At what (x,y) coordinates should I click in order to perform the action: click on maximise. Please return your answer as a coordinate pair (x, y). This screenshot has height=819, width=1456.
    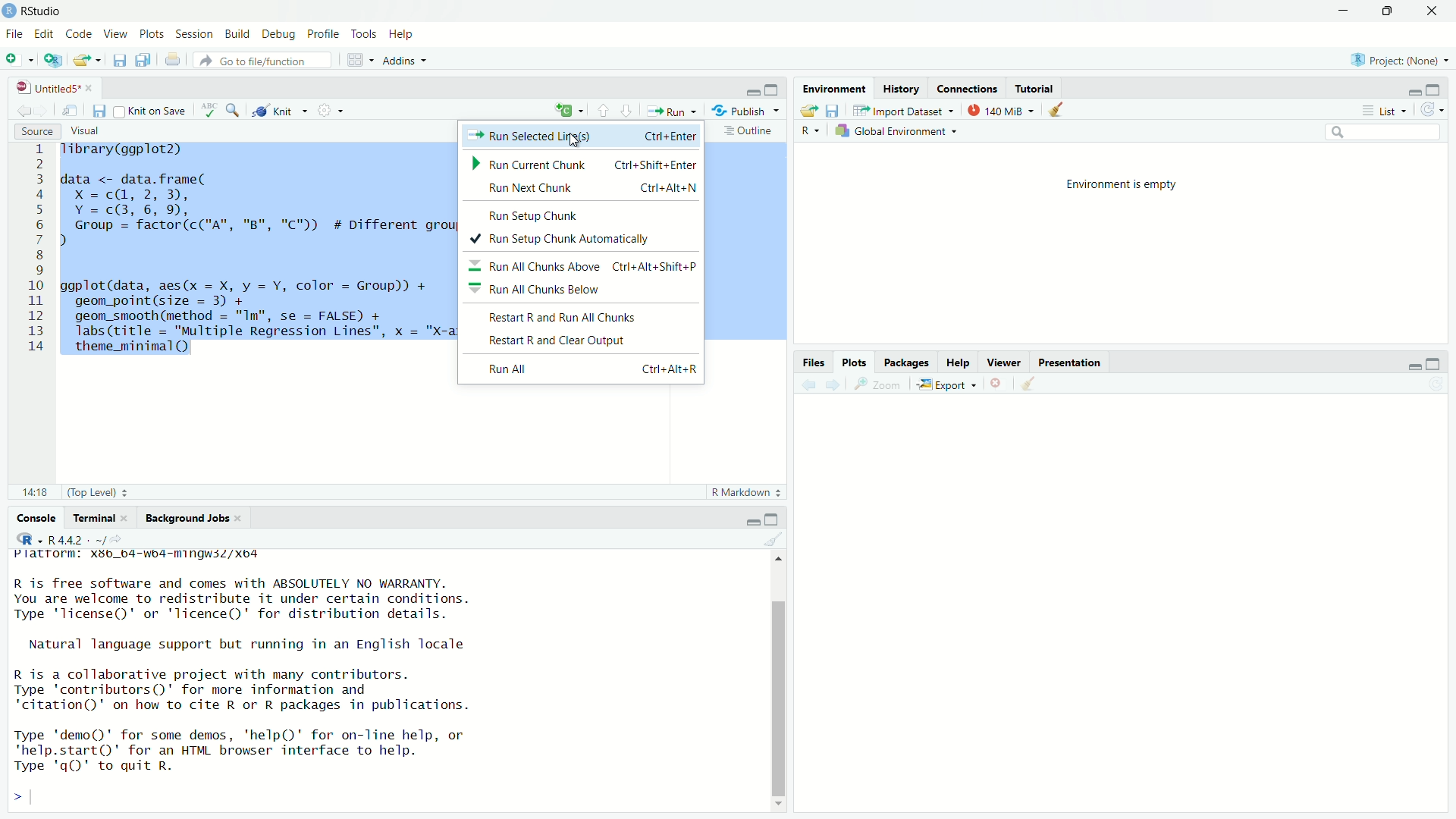
    Looking at the image, I should click on (780, 517).